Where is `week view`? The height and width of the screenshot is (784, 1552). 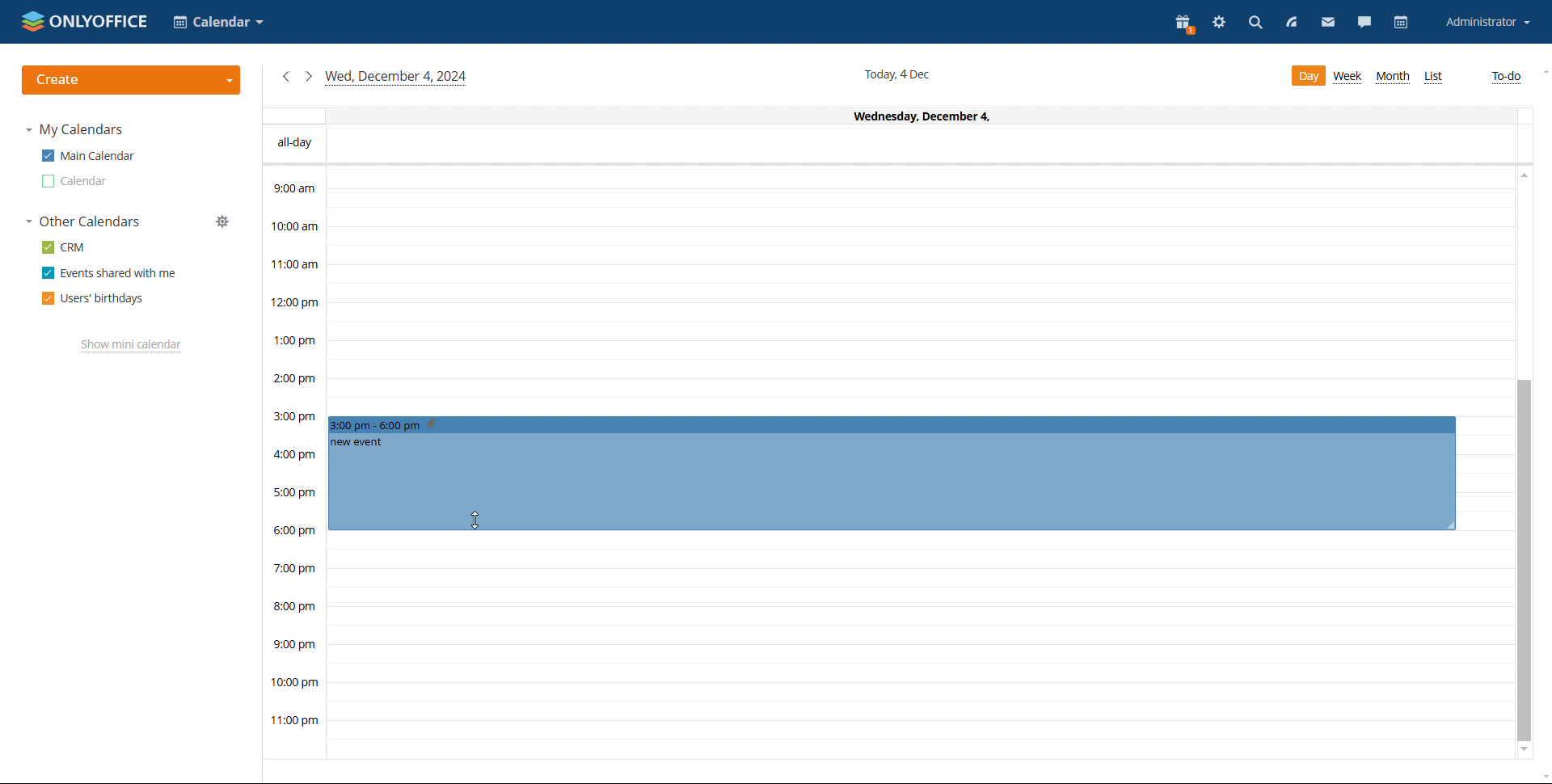
week view is located at coordinates (1349, 77).